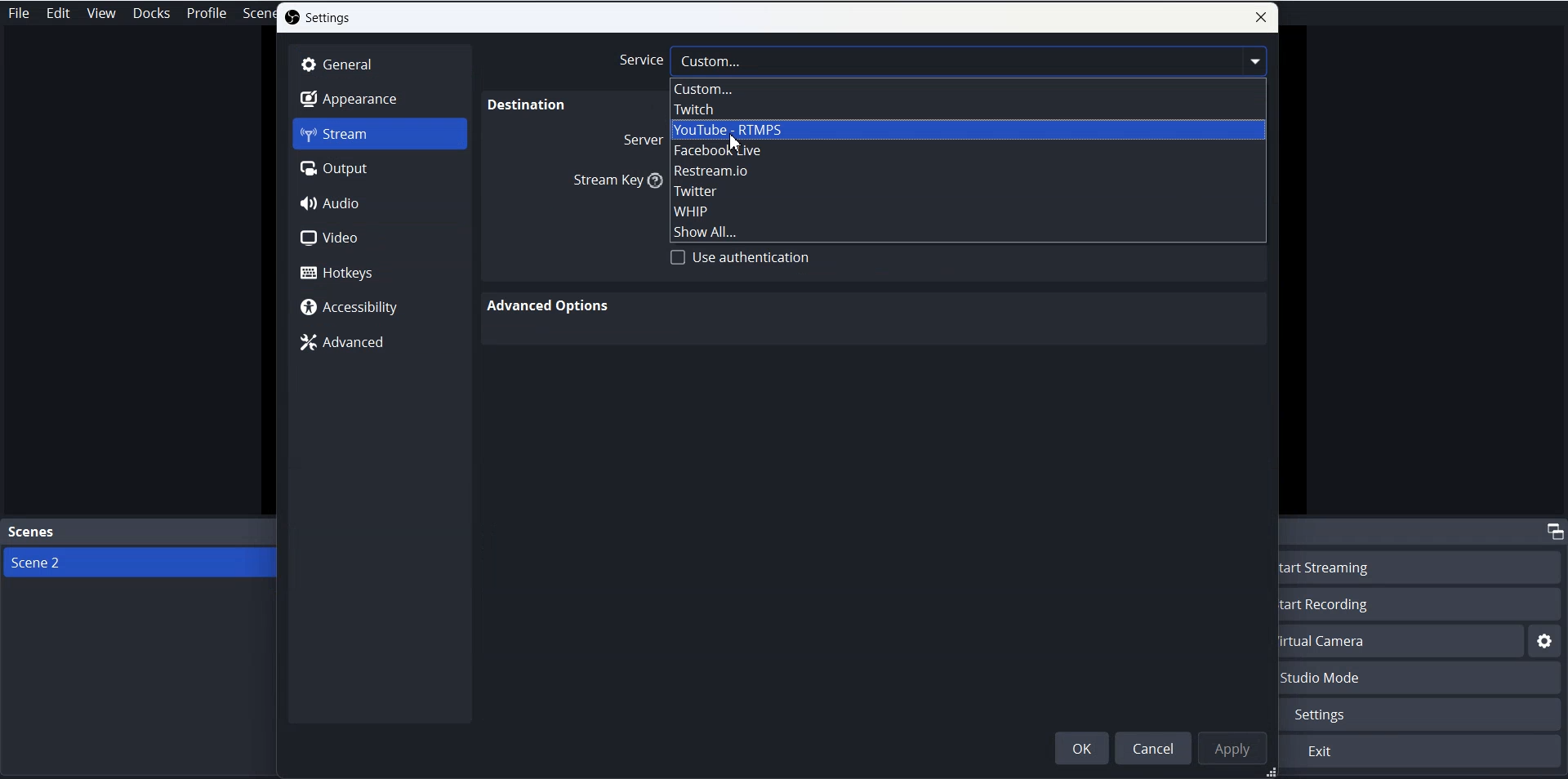 The image size is (1568, 779). I want to click on Start Virtual Camera, so click(1402, 641).